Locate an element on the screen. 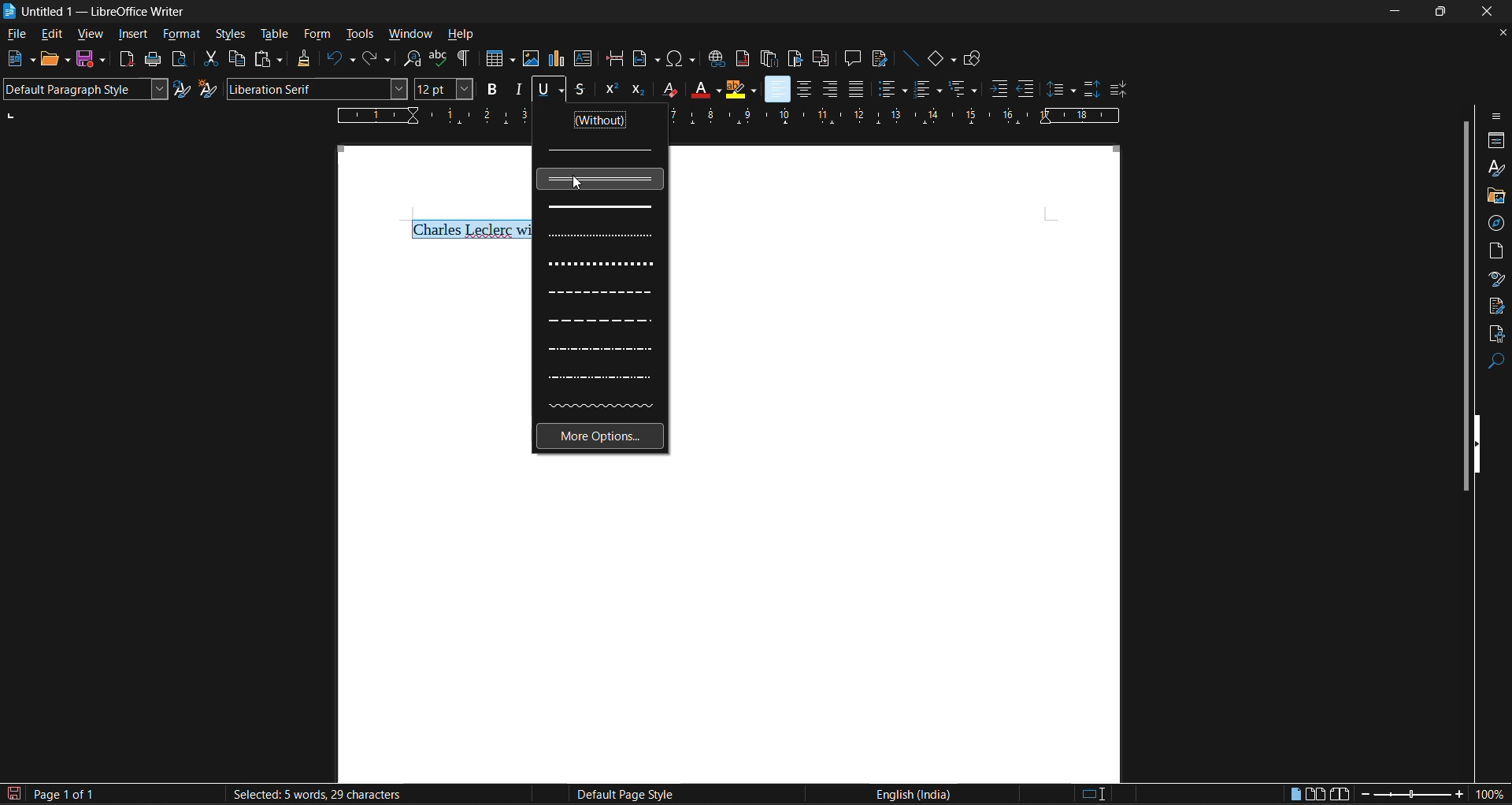  minimize is located at coordinates (1397, 9).